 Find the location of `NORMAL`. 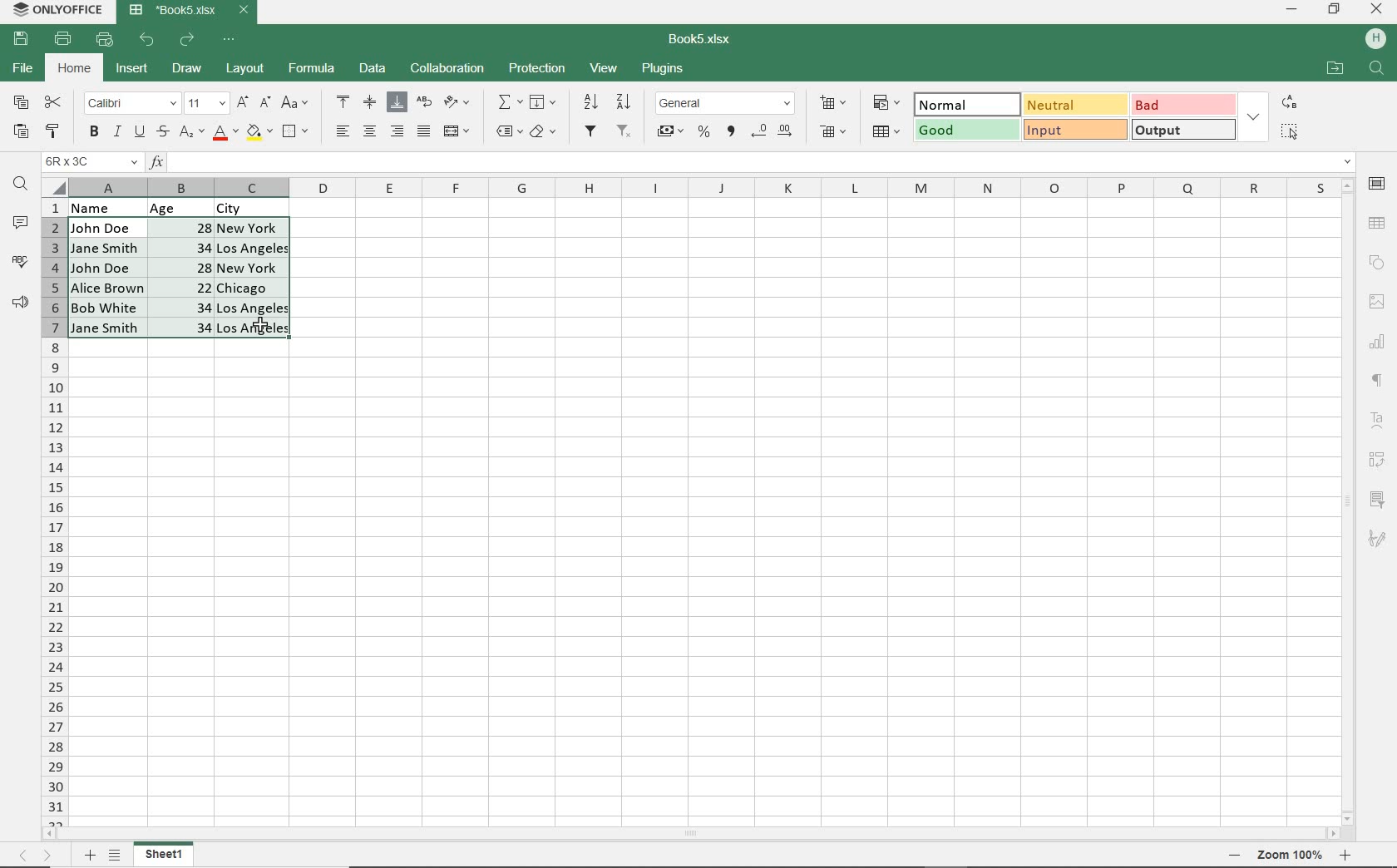

NORMAL is located at coordinates (959, 105).